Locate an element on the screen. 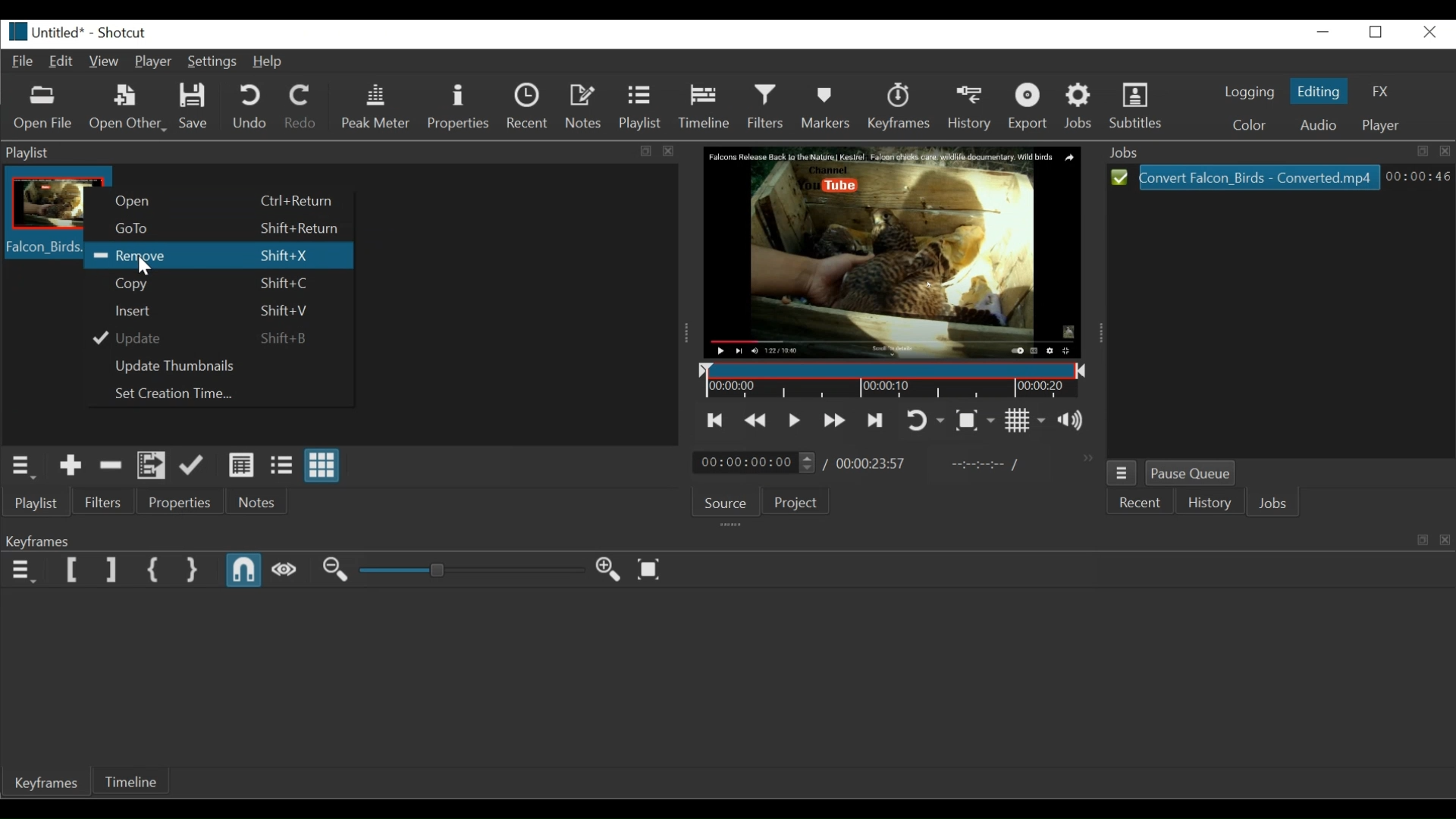  Jobs Menu is located at coordinates (1125, 472).